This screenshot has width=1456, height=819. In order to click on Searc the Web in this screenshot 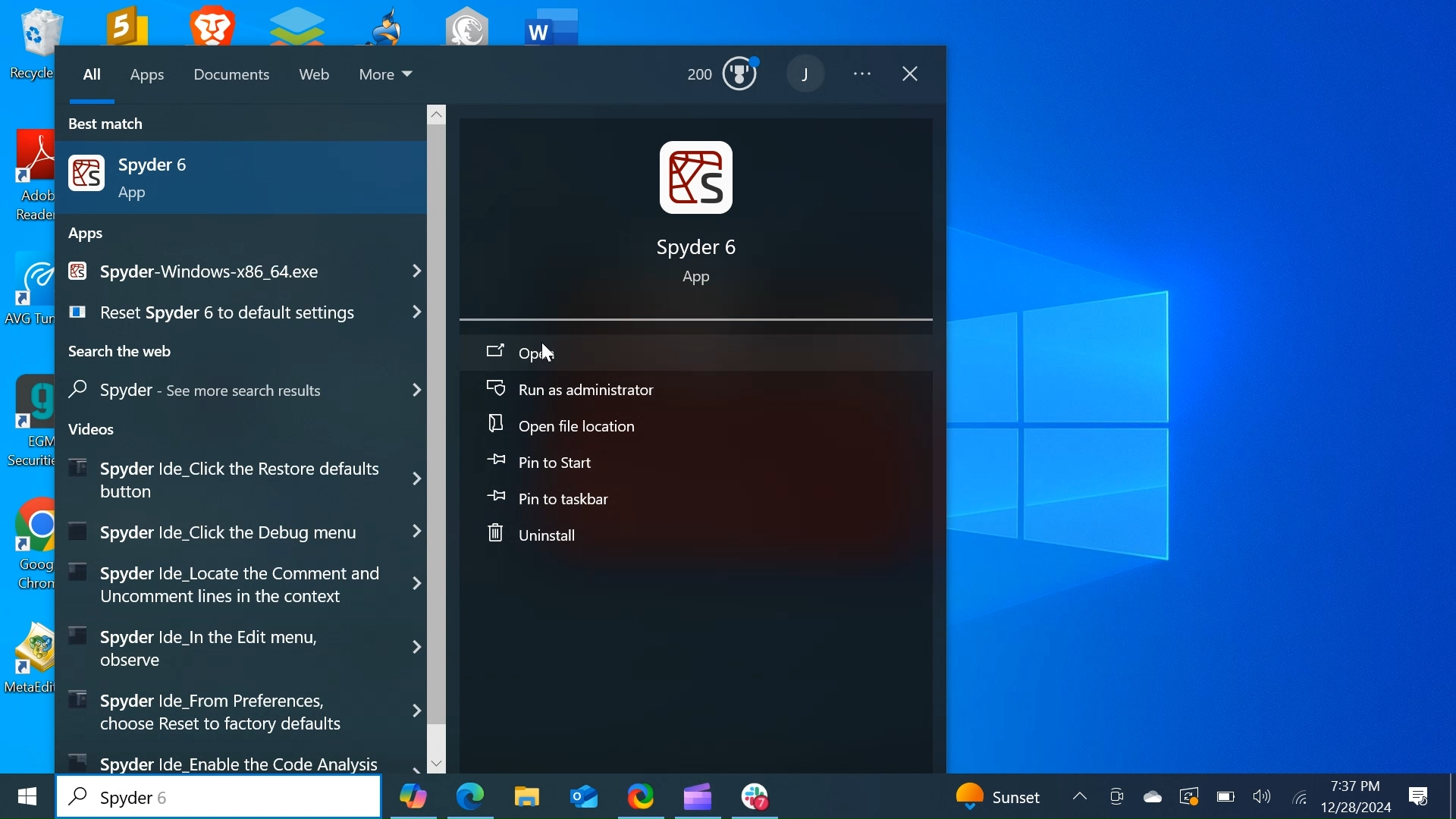, I will do `click(122, 353)`.